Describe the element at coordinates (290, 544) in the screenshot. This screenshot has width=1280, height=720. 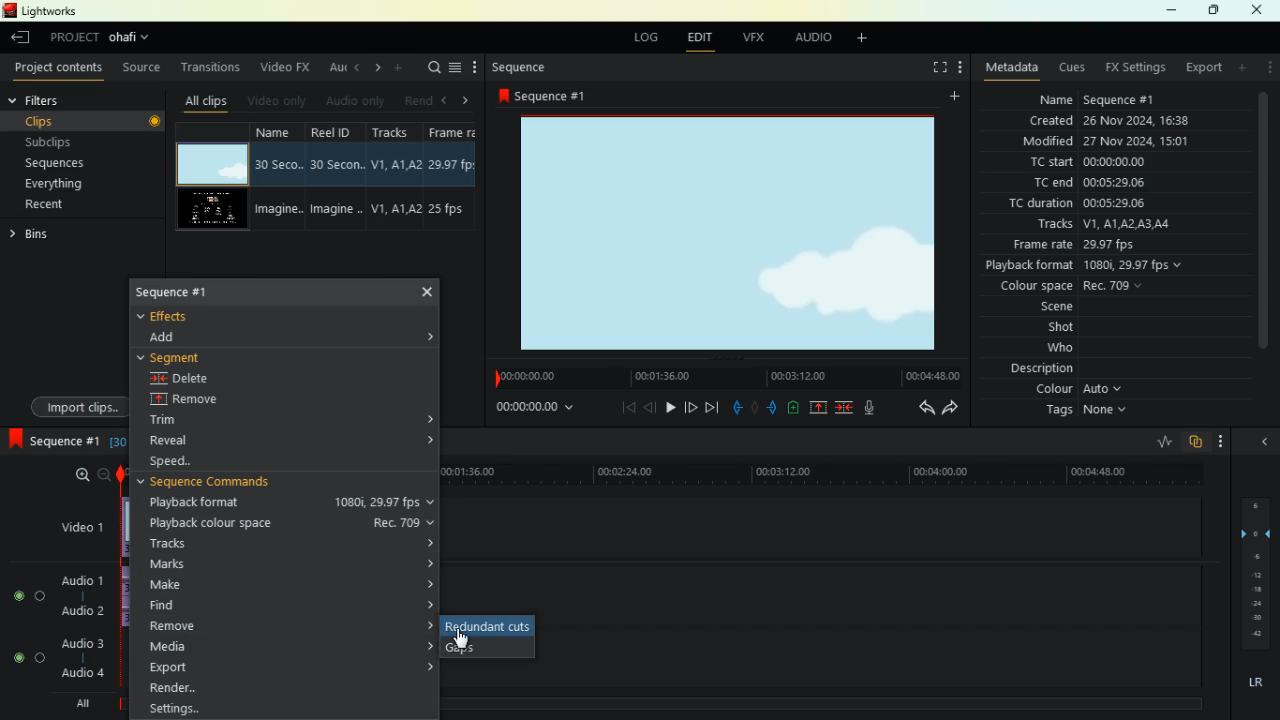
I see `tracks` at that location.